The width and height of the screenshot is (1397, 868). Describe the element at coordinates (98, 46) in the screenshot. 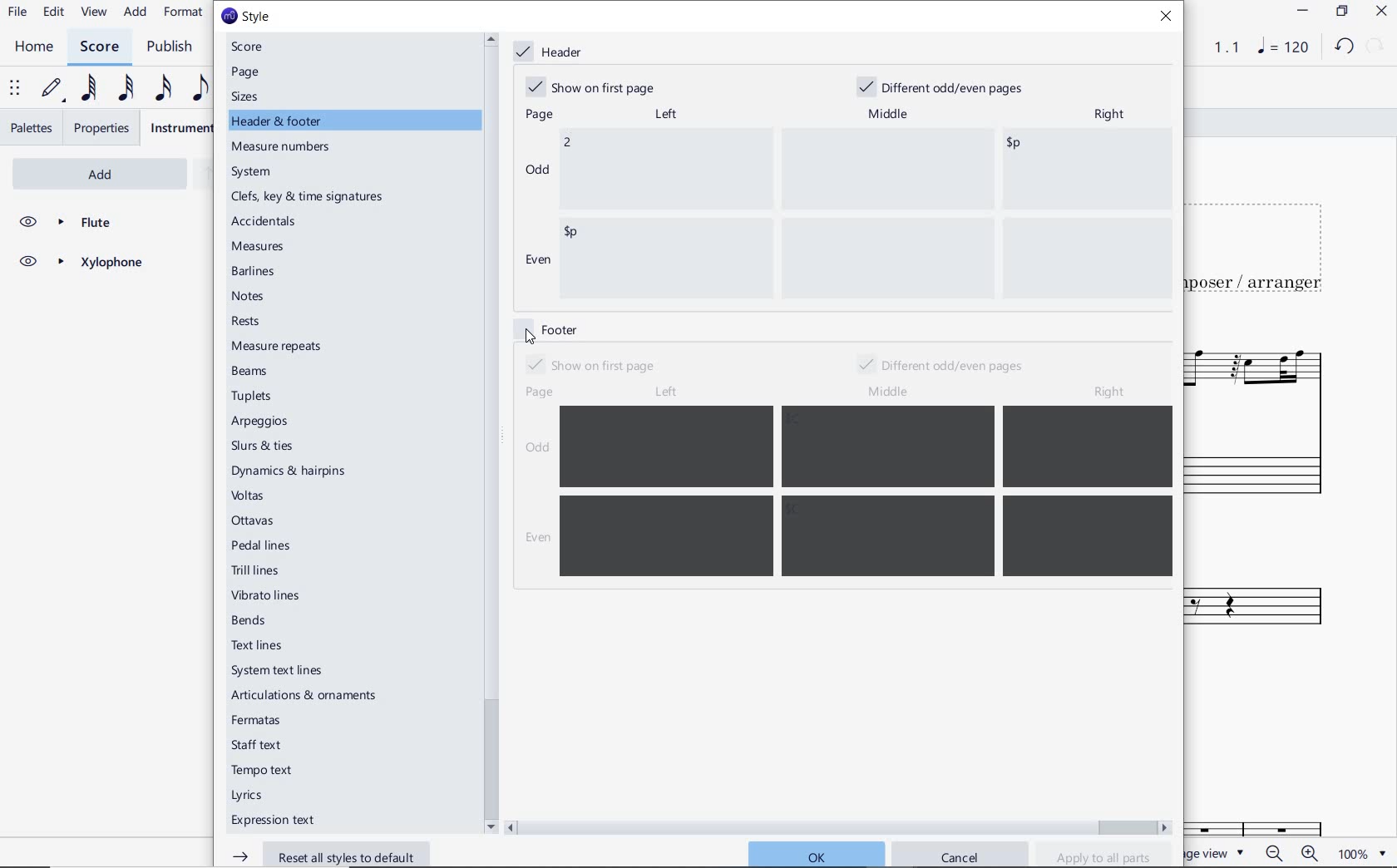

I see `SCORE` at that location.